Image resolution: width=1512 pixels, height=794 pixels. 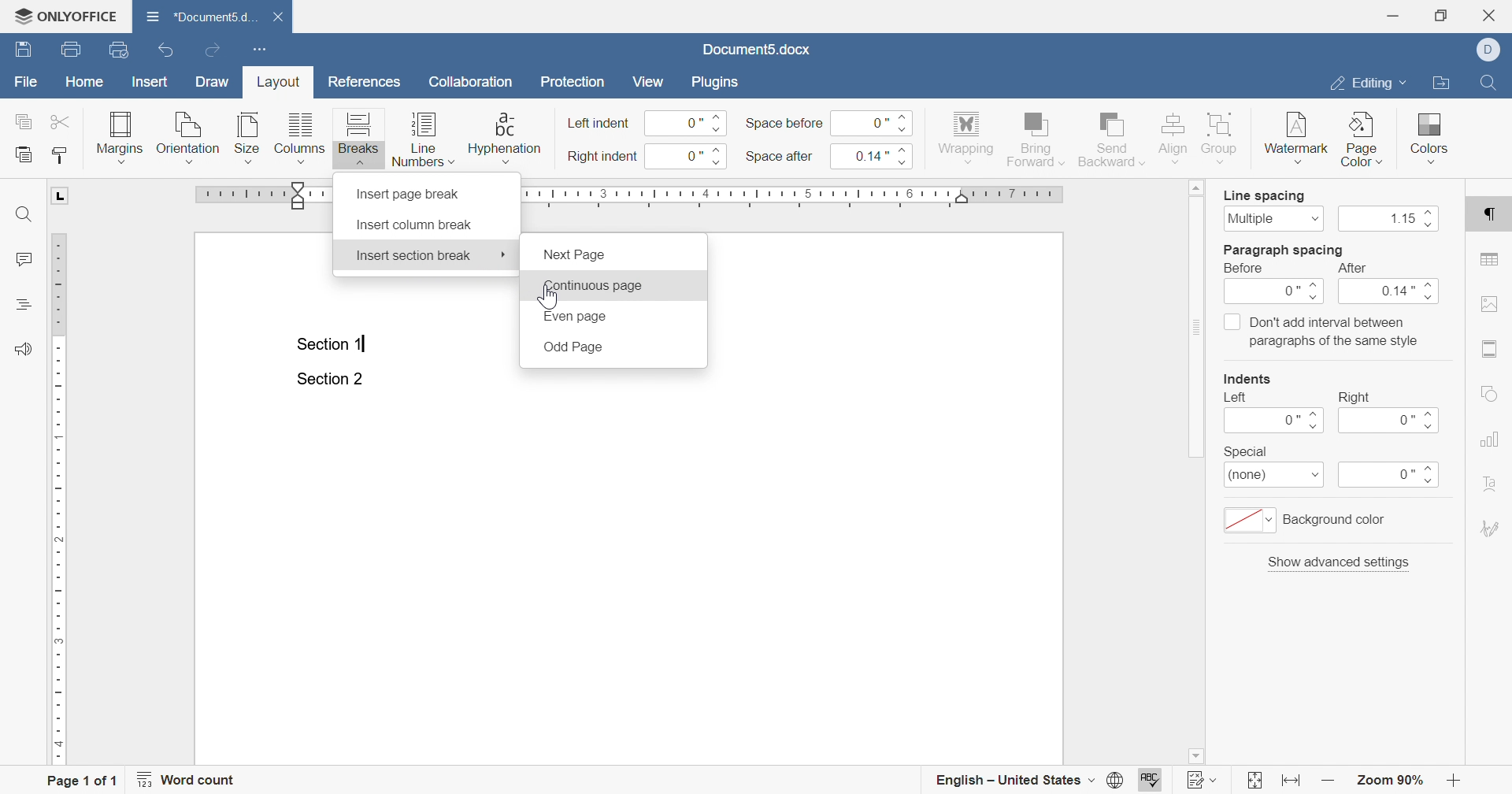 What do you see at coordinates (1203, 779) in the screenshot?
I see `track changes` at bounding box center [1203, 779].